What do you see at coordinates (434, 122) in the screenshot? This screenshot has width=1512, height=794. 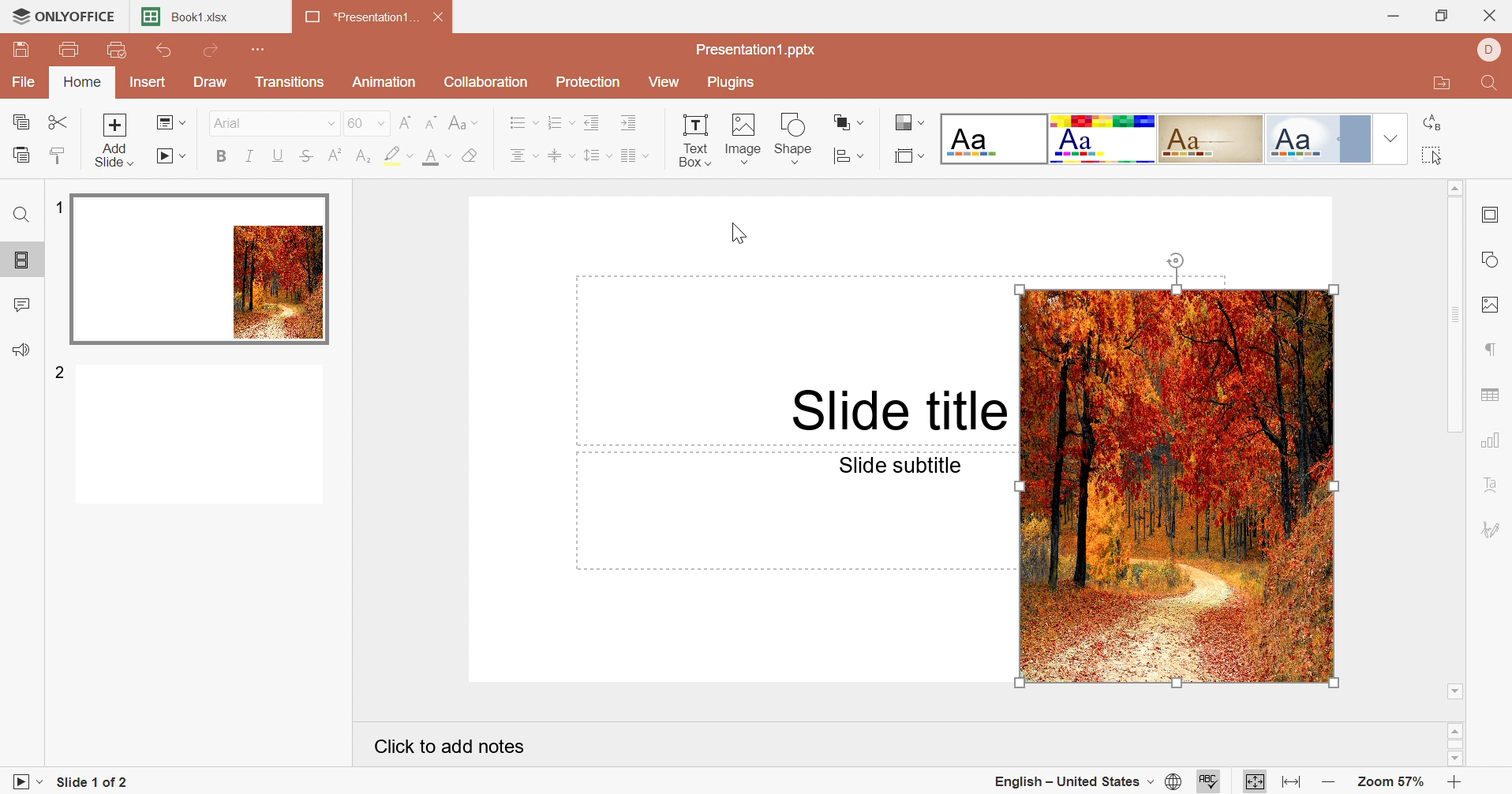 I see `Decrement font size` at bounding box center [434, 122].